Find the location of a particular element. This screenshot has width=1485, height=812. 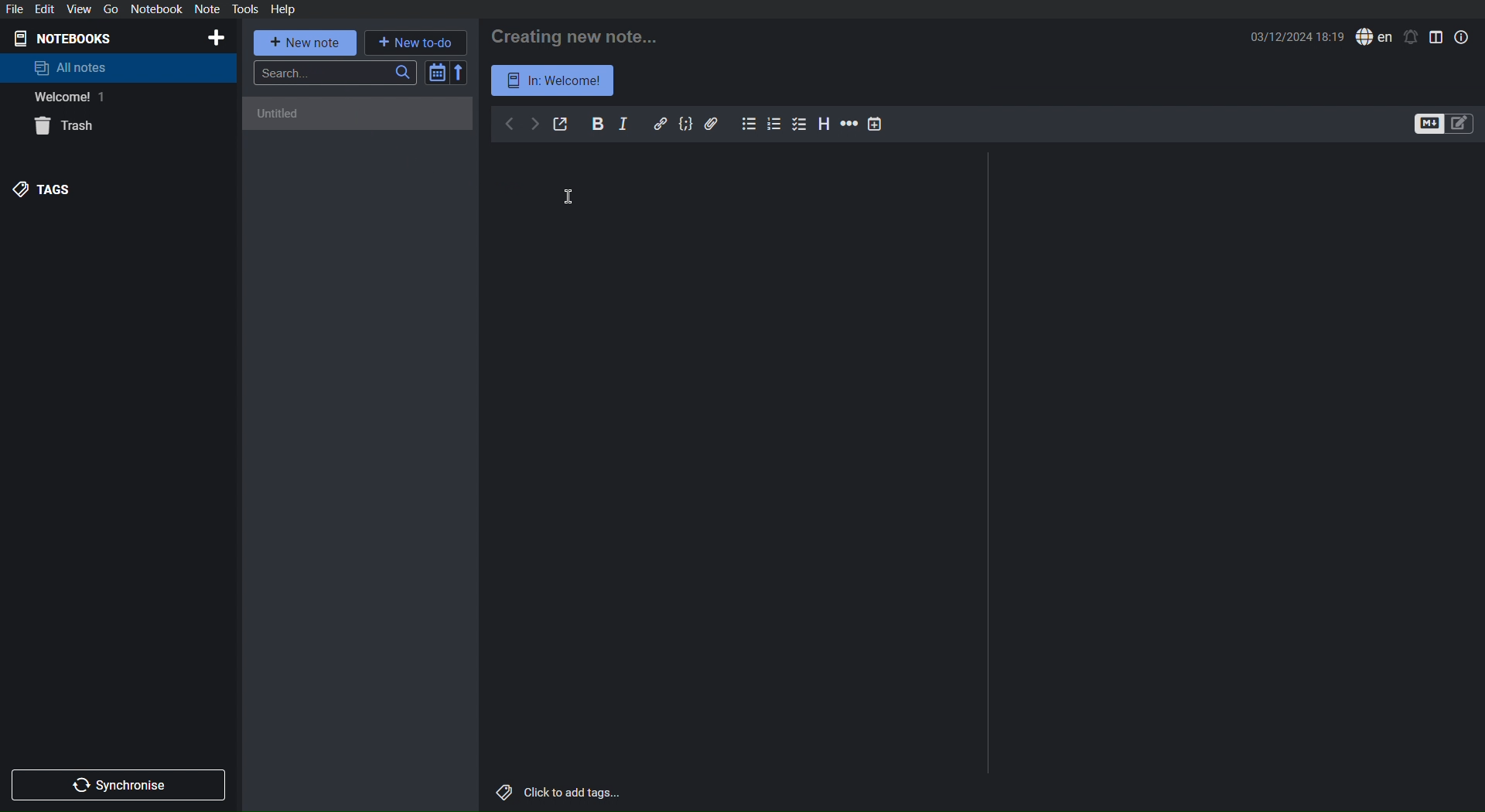

New note is located at coordinates (306, 43).